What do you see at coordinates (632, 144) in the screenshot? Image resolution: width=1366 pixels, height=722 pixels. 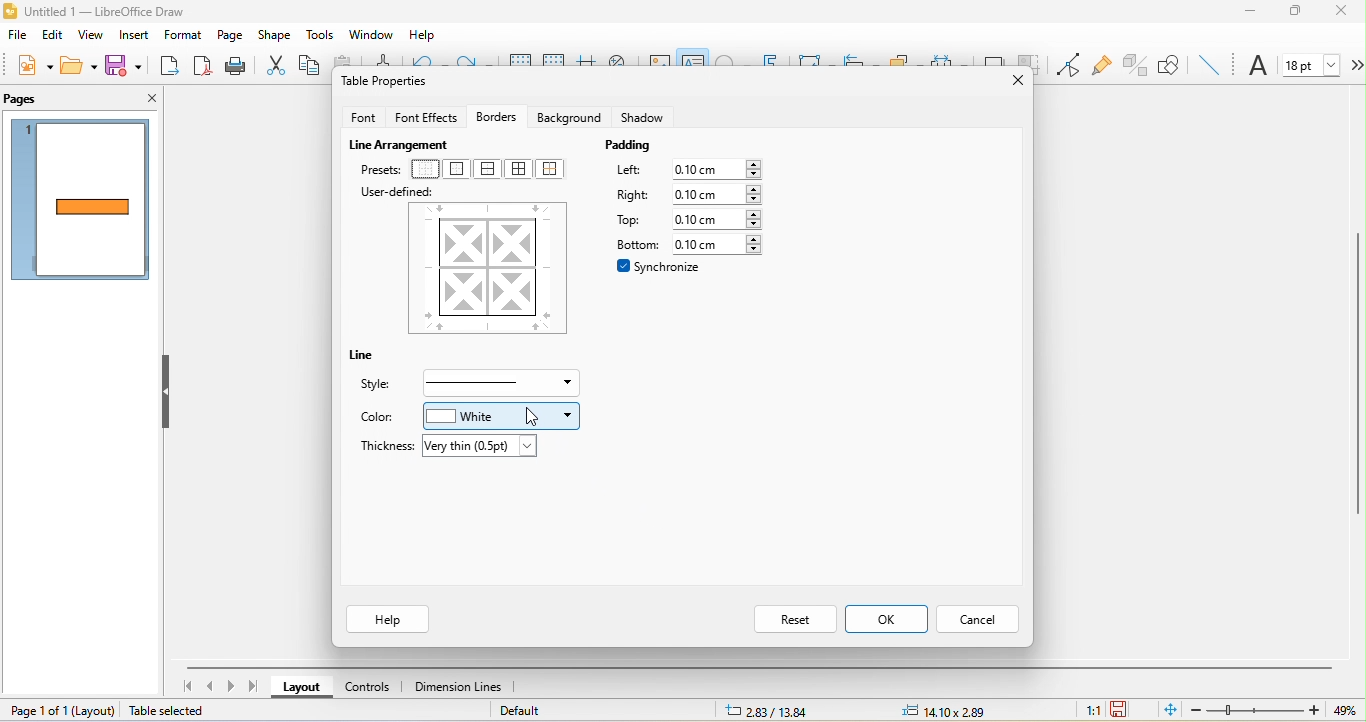 I see `padding` at bounding box center [632, 144].